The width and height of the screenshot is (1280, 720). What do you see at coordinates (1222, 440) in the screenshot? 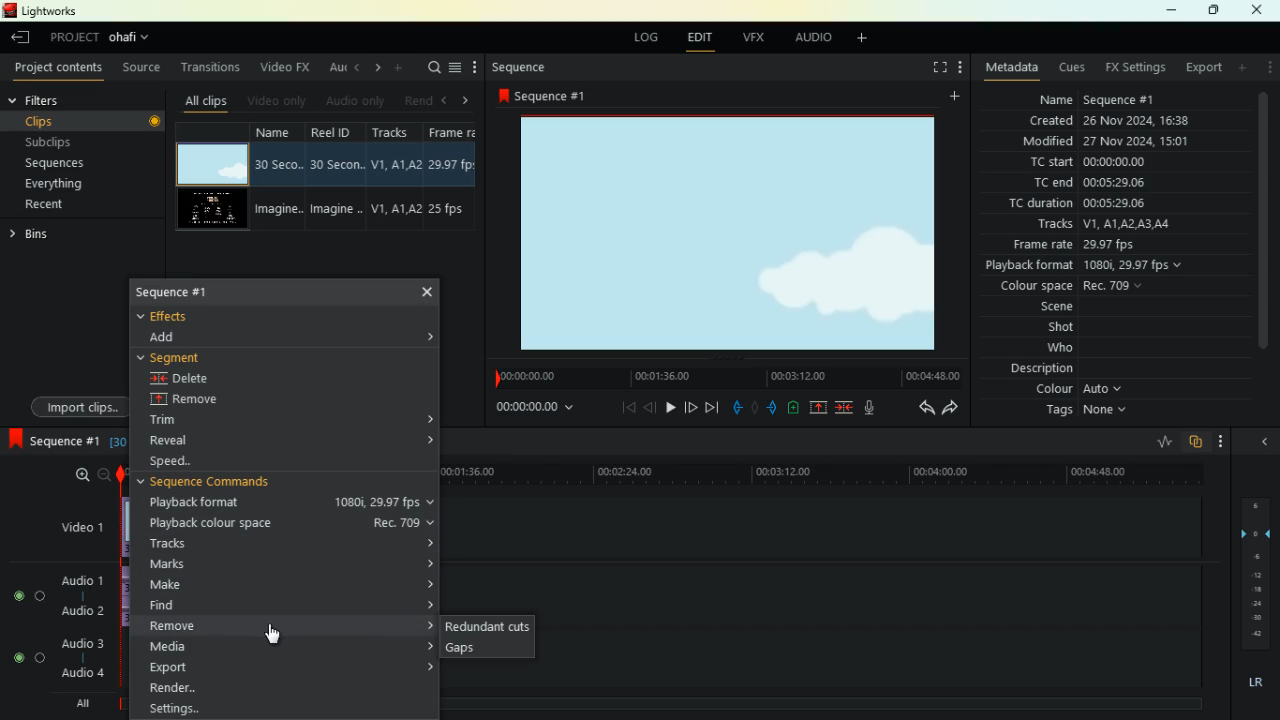
I see `more` at bounding box center [1222, 440].